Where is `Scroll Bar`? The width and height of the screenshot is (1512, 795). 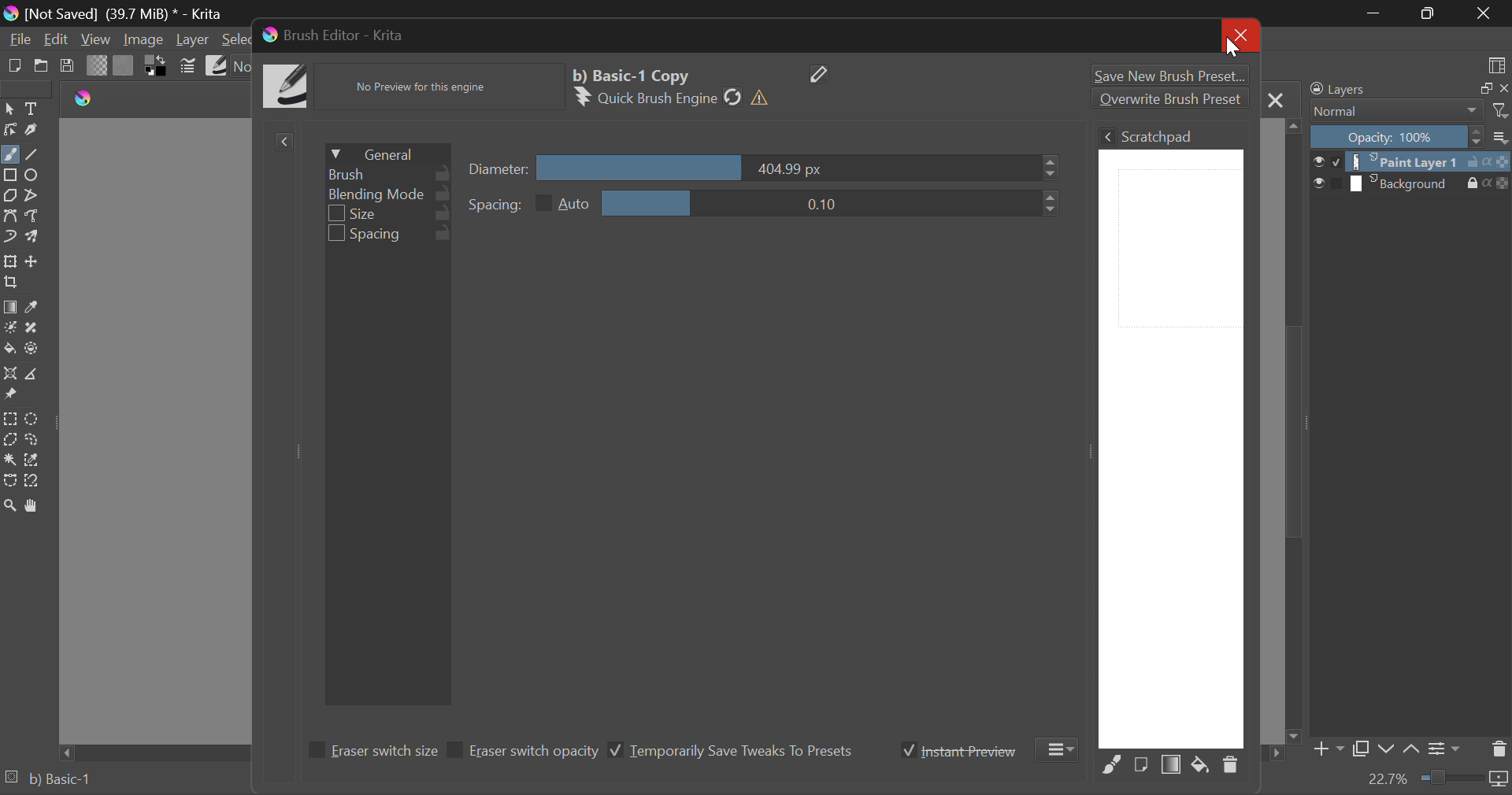
Scroll Bar is located at coordinates (1295, 430).